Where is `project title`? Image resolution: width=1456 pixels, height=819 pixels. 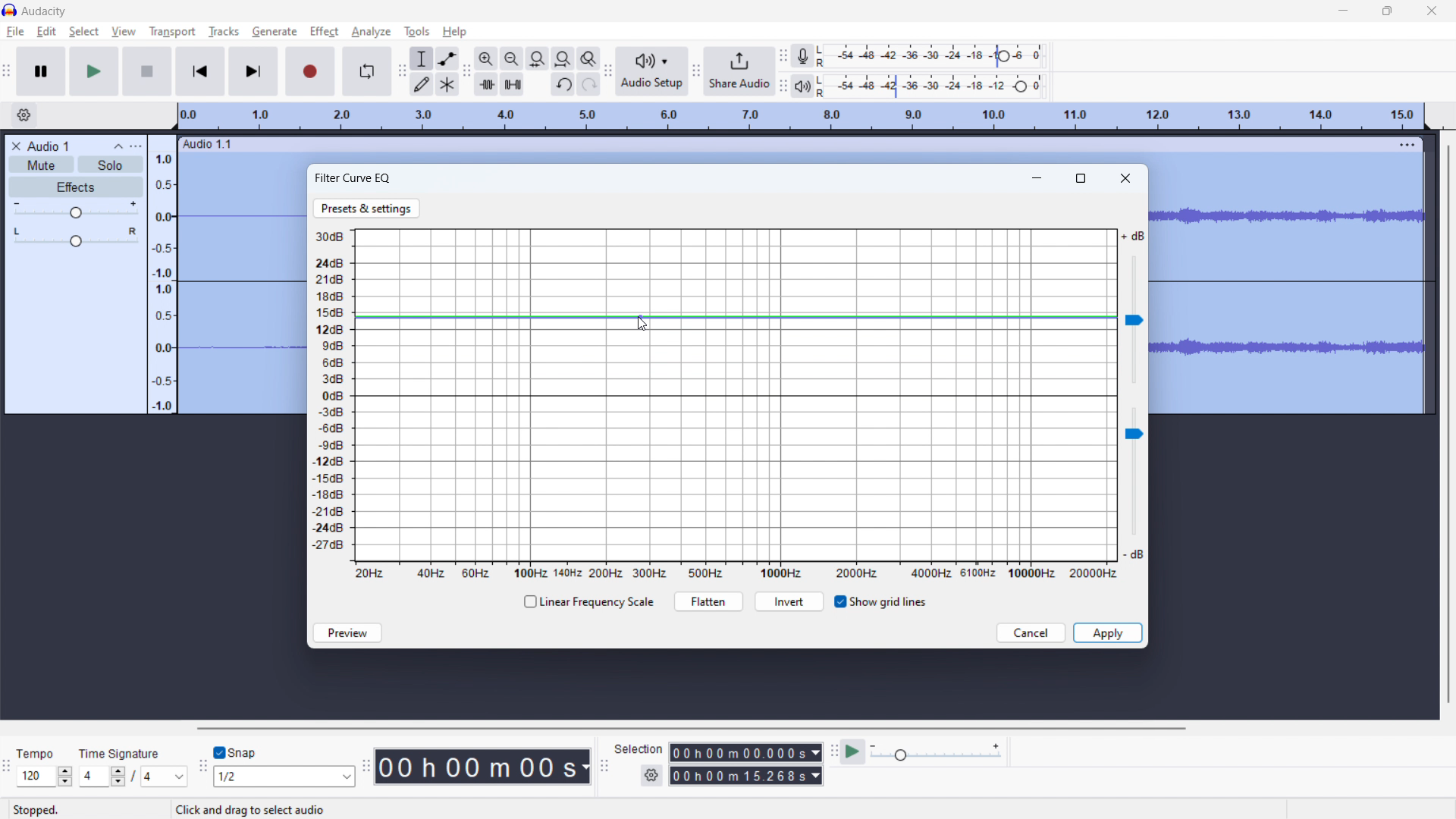 project title is located at coordinates (49, 146).